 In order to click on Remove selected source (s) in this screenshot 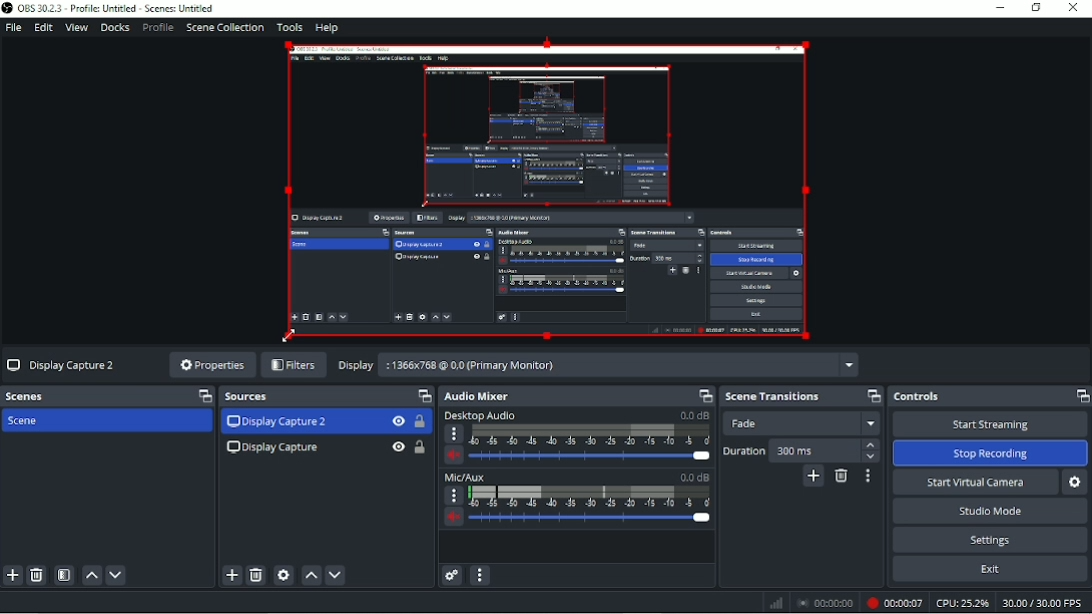, I will do `click(256, 576)`.